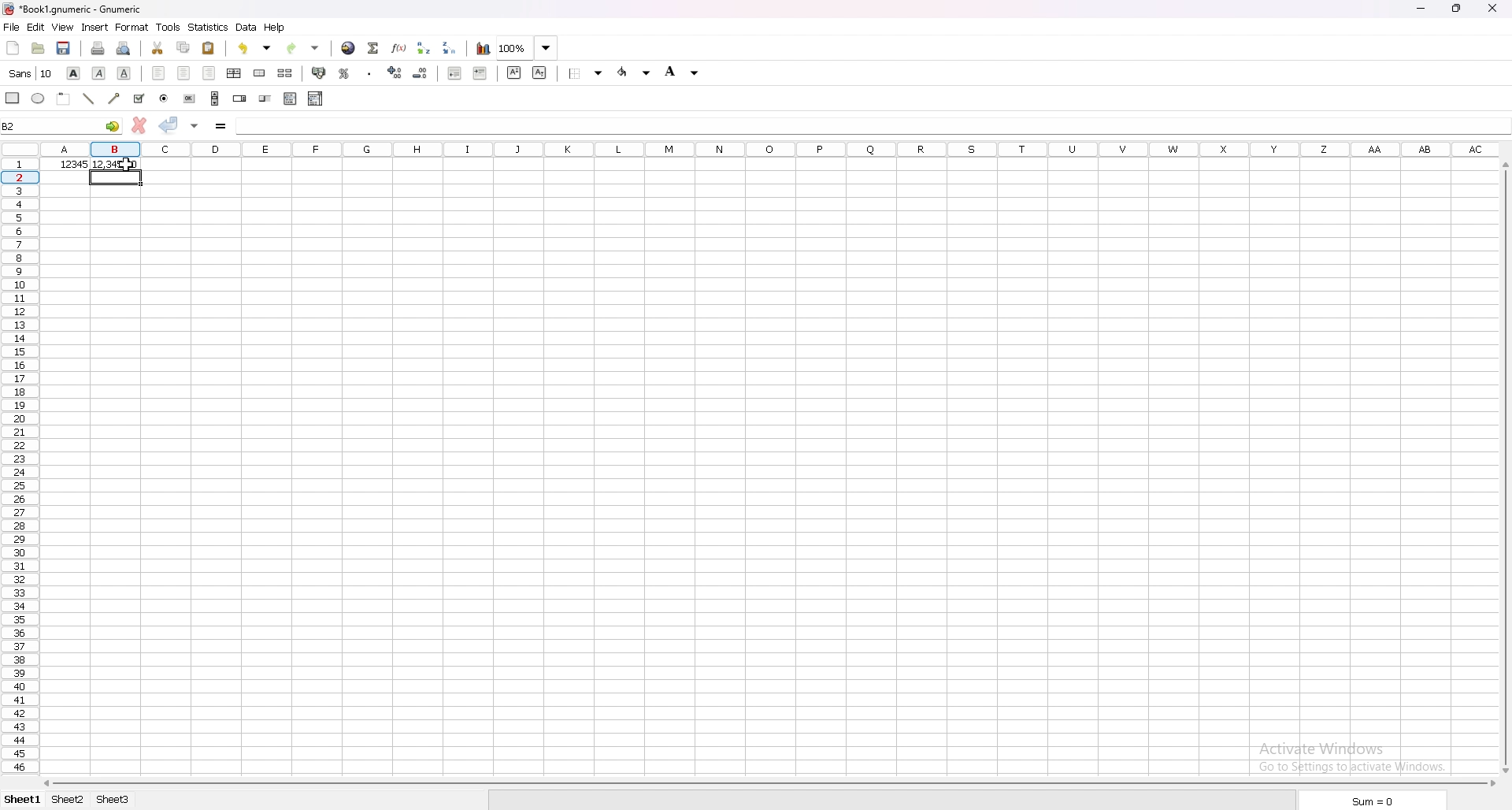  Describe the element at coordinates (398, 47) in the screenshot. I see `function` at that location.